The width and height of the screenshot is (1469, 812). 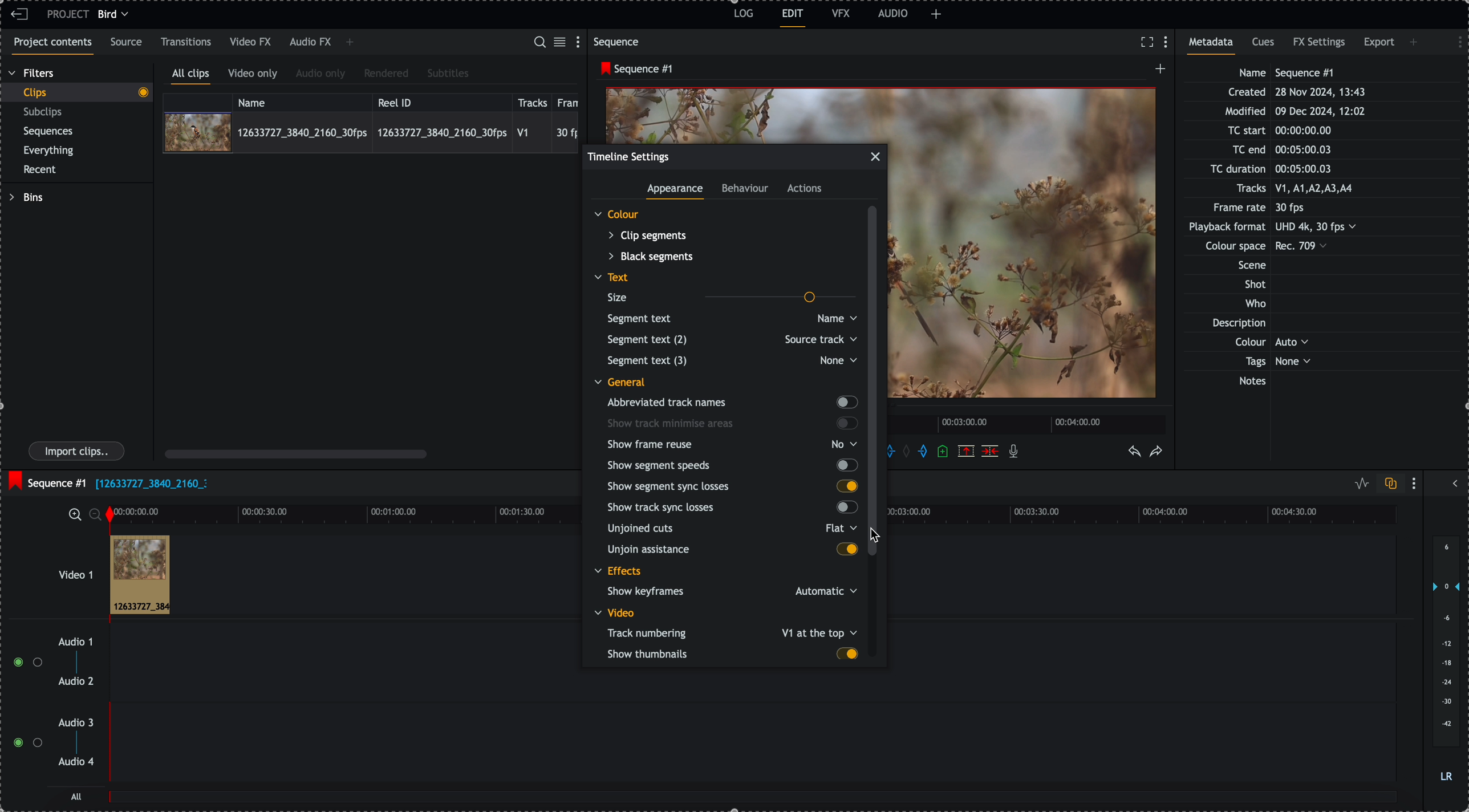 I want to click on zoom ouy, so click(x=96, y=514).